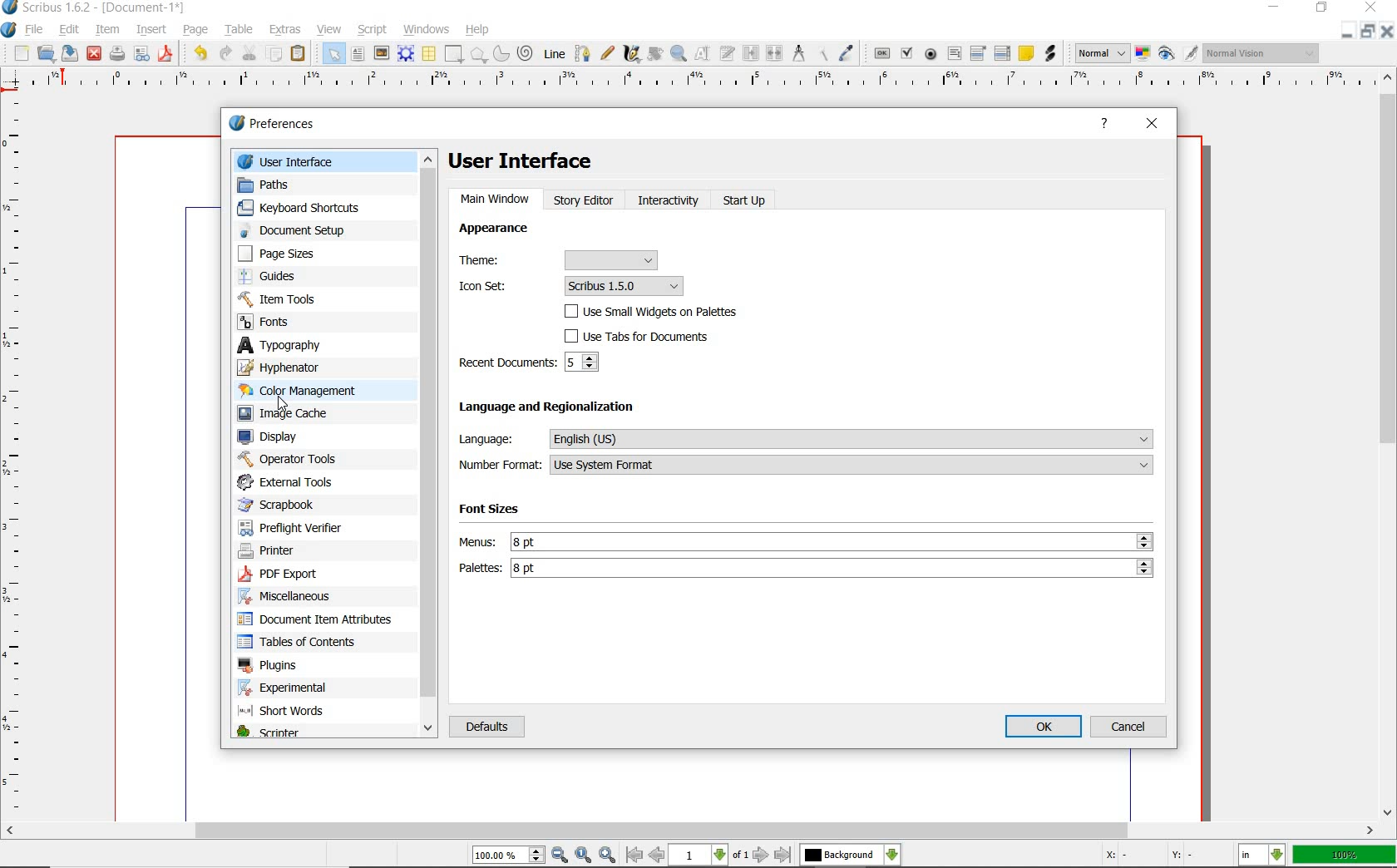  Describe the element at coordinates (358, 54) in the screenshot. I see `text frame` at that location.